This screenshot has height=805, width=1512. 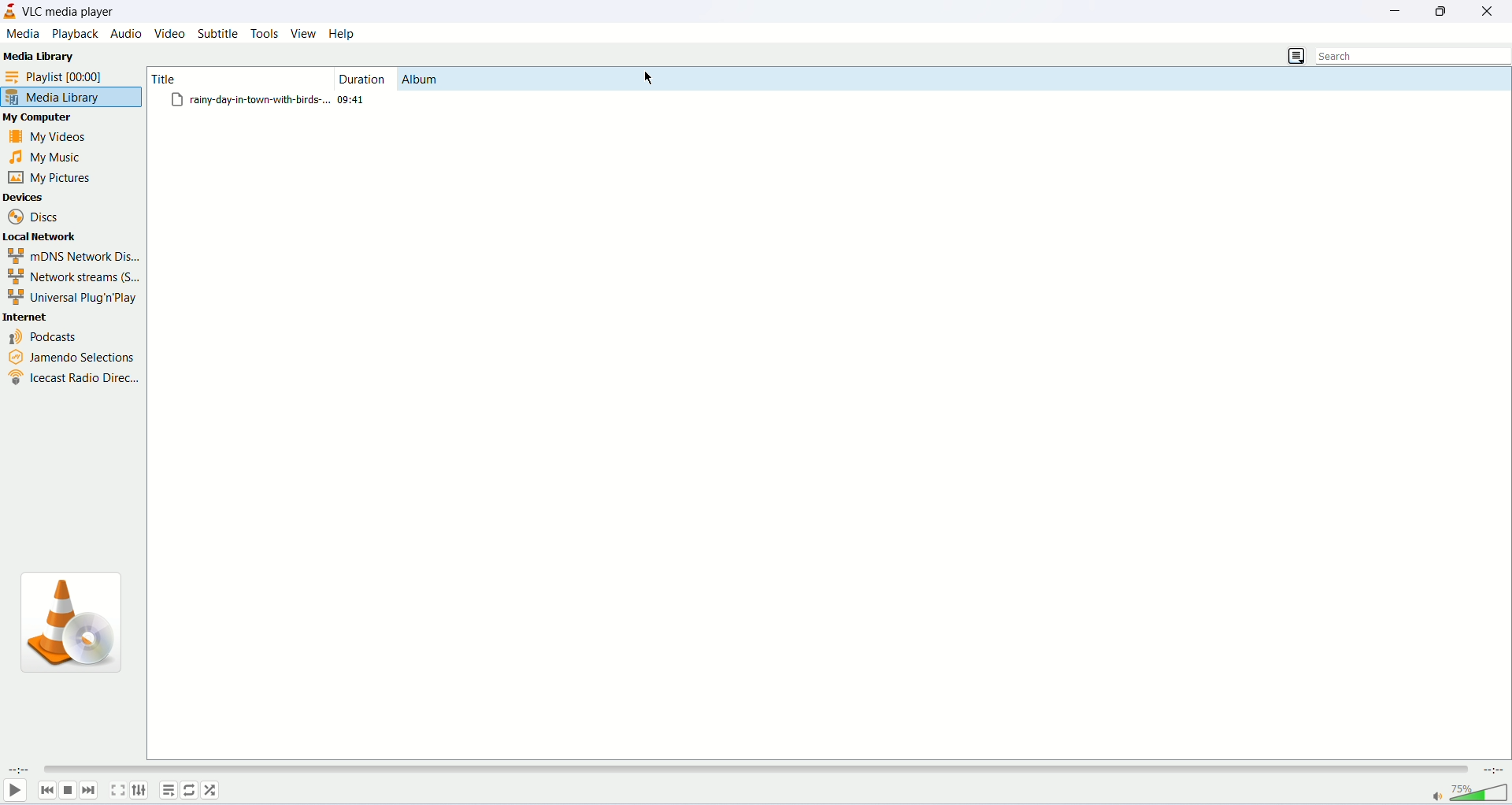 I want to click on my music, so click(x=61, y=156).